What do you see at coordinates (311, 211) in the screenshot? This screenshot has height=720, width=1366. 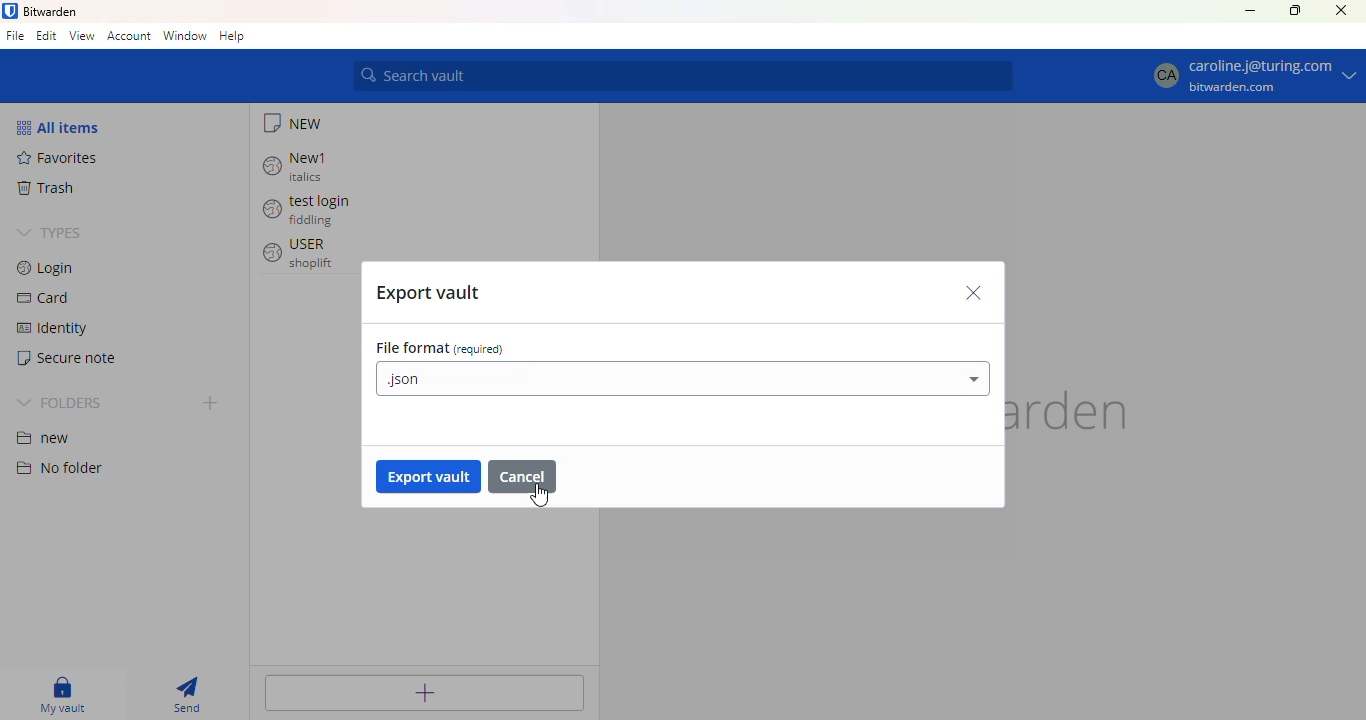 I see `test login    fiddling` at bounding box center [311, 211].